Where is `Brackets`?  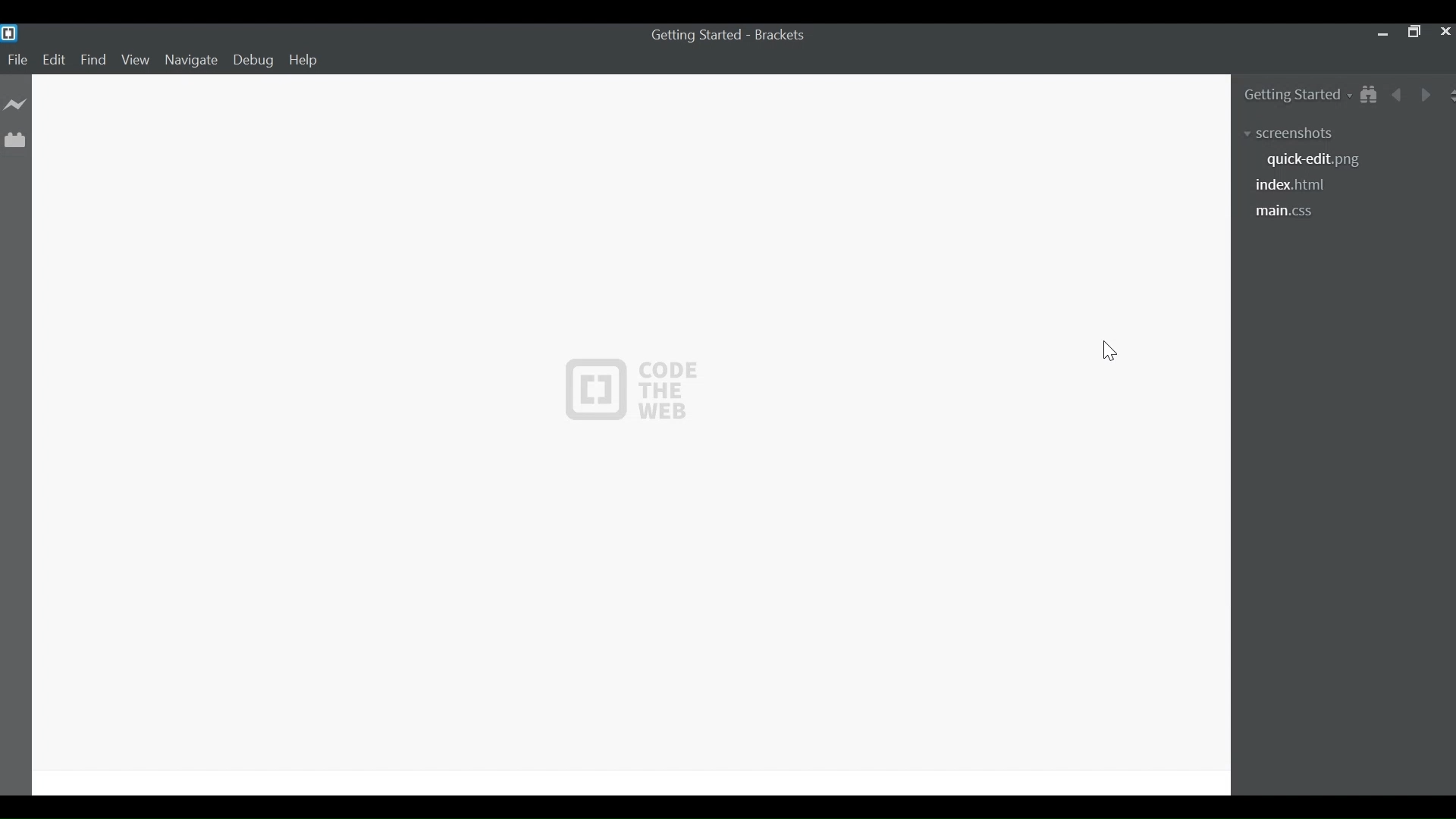
Brackets is located at coordinates (784, 35).